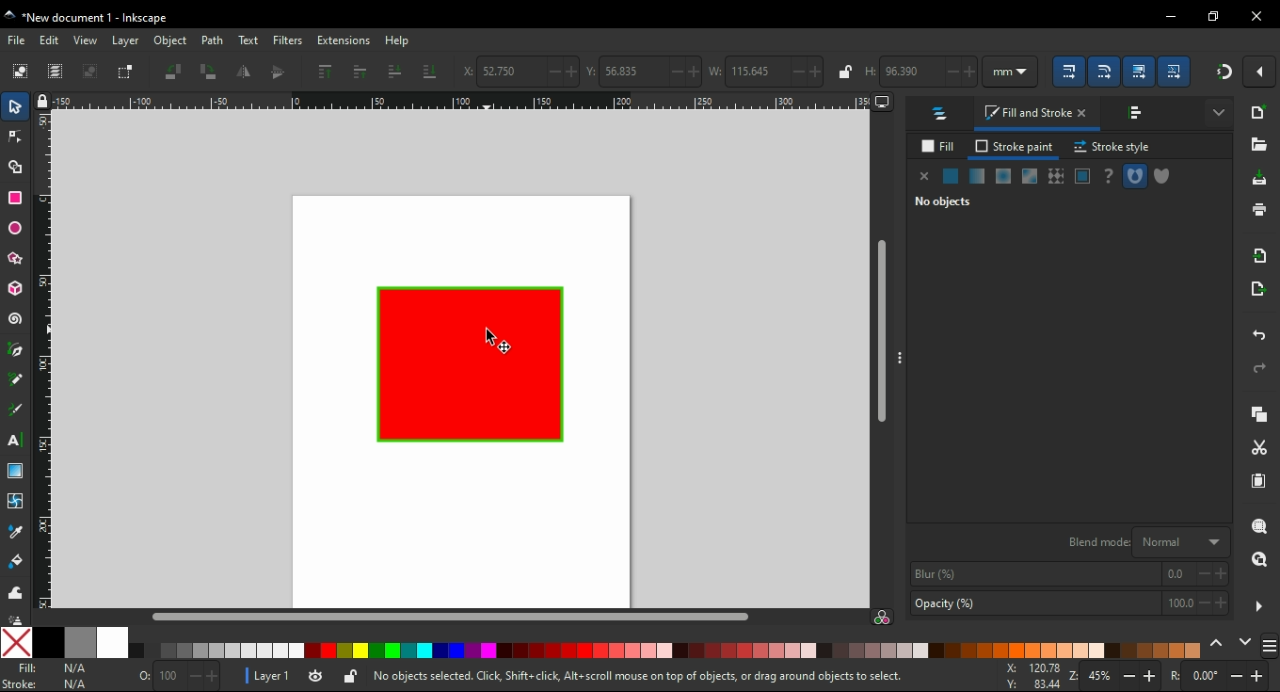 Image resolution: width=1280 pixels, height=692 pixels. What do you see at coordinates (1259, 481) in the screenshot?
I see `paste` at bounding box center [1259, 481].